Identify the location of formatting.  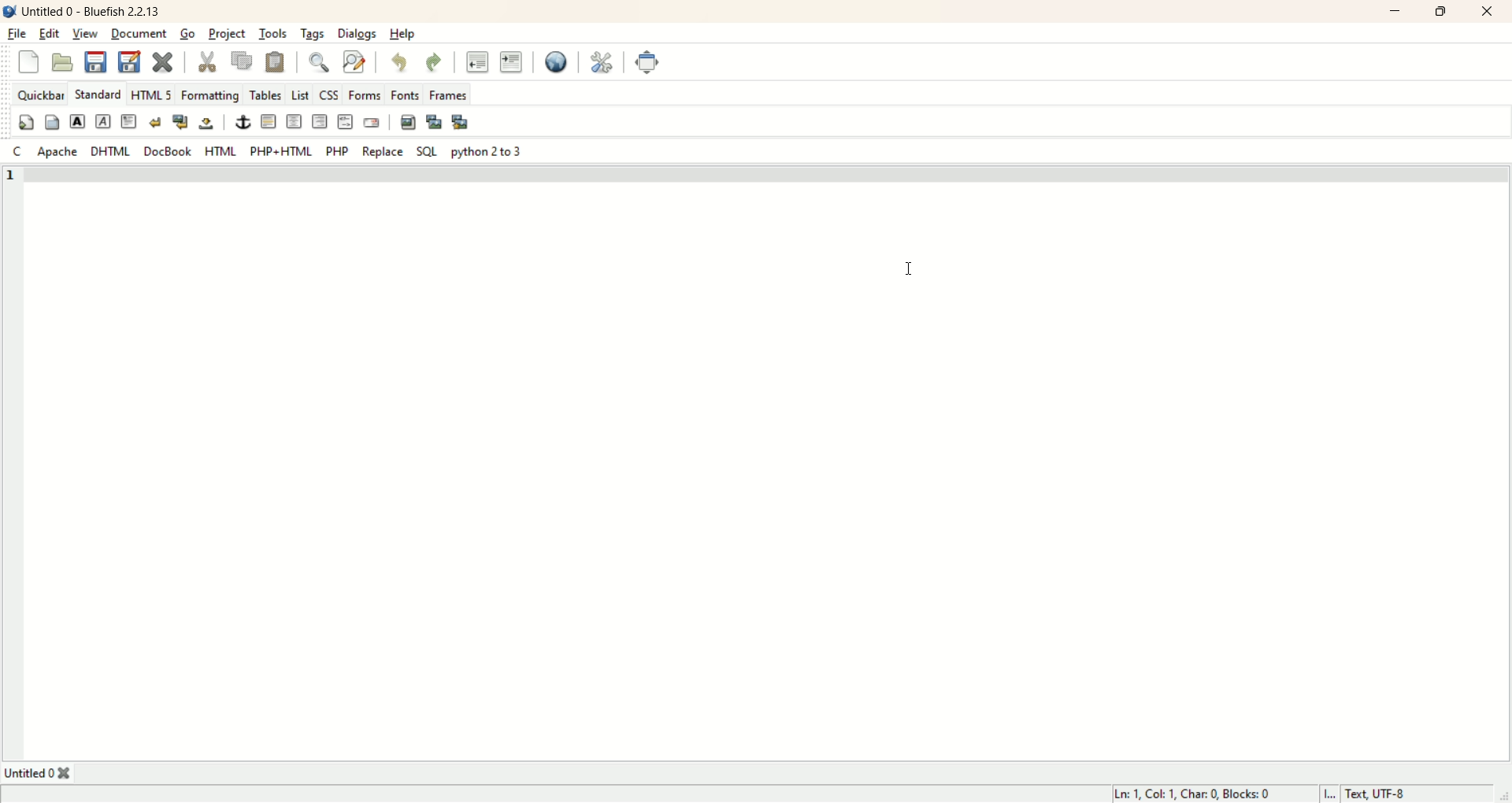
(212, 97).